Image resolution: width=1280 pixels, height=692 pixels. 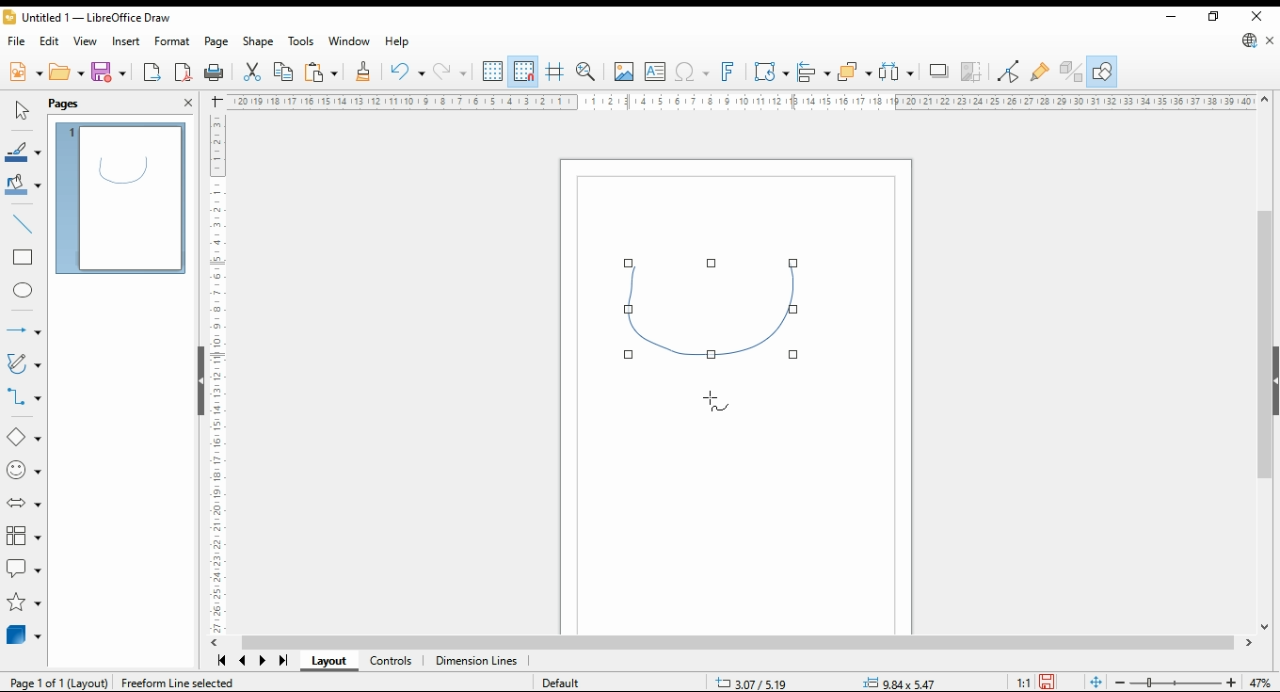 What do you see at coordinates (1102, 72) in the screenshot?
I see `show draw functions` at bounding box center [1102, 72].